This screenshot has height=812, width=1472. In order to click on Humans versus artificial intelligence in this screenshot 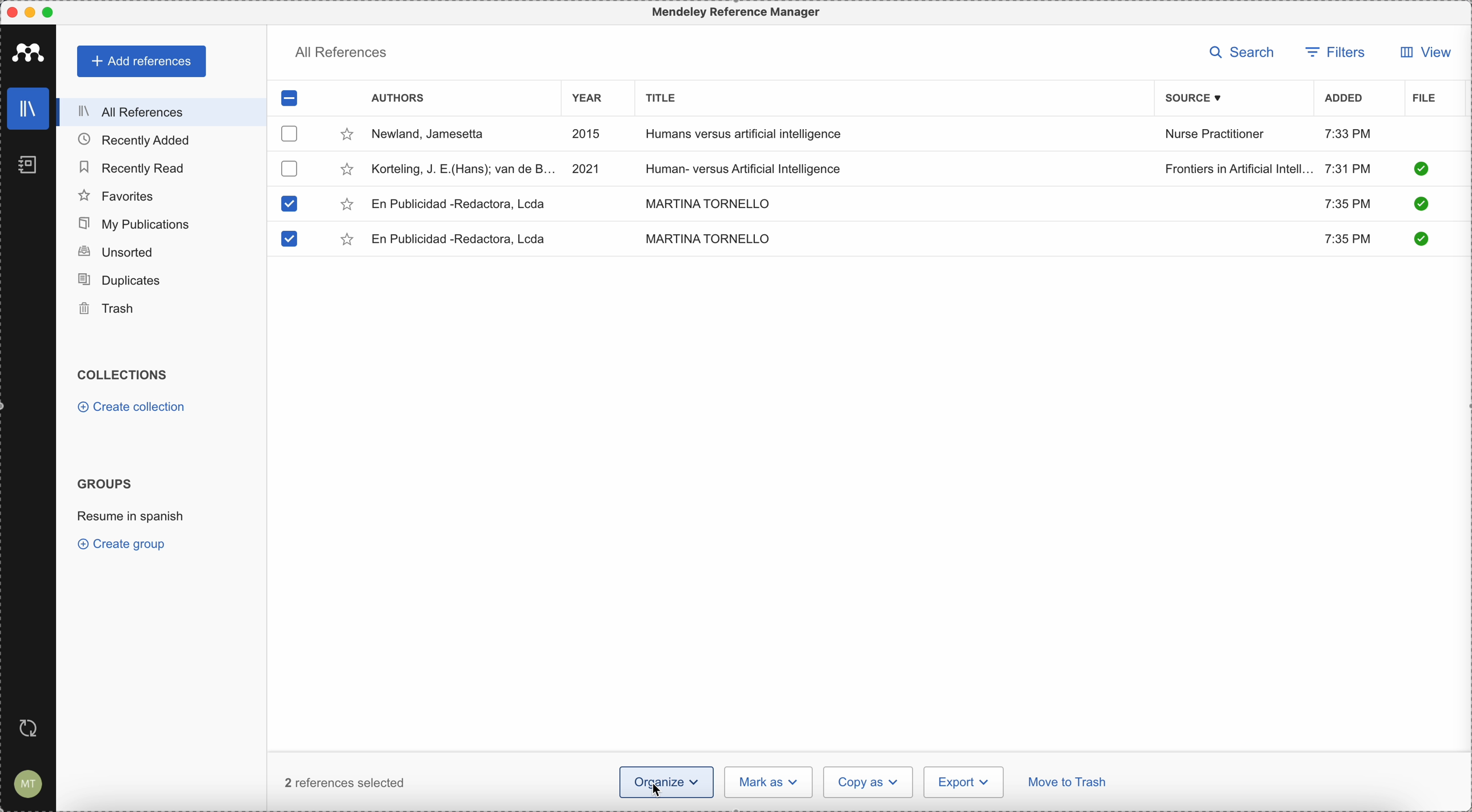, I will do `click(745, 135)`.